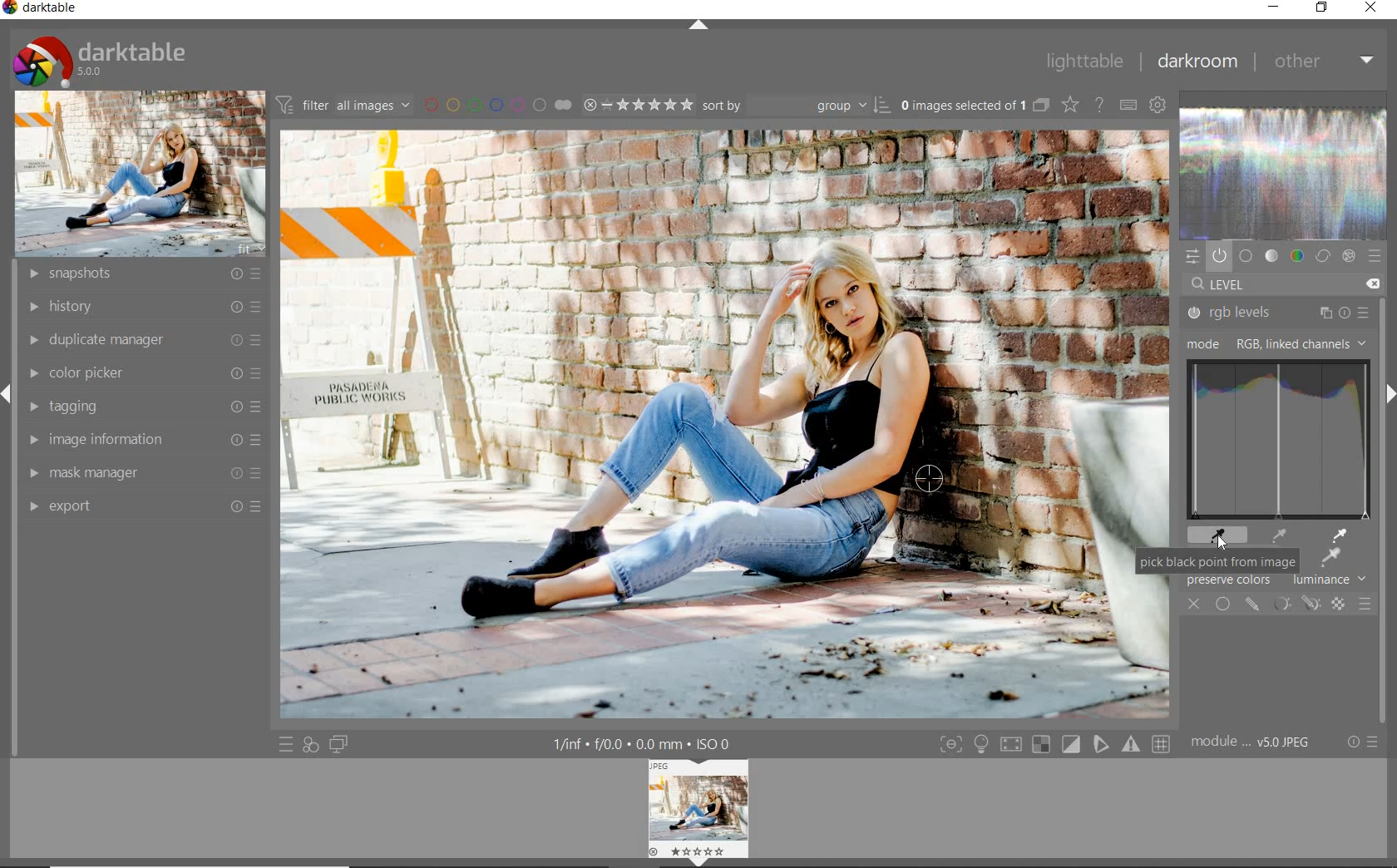 This screenshot has height=868, width=1397. Describe the element at coordinates (1199, 62) in the screenshot. I see `darkroom` at that location.